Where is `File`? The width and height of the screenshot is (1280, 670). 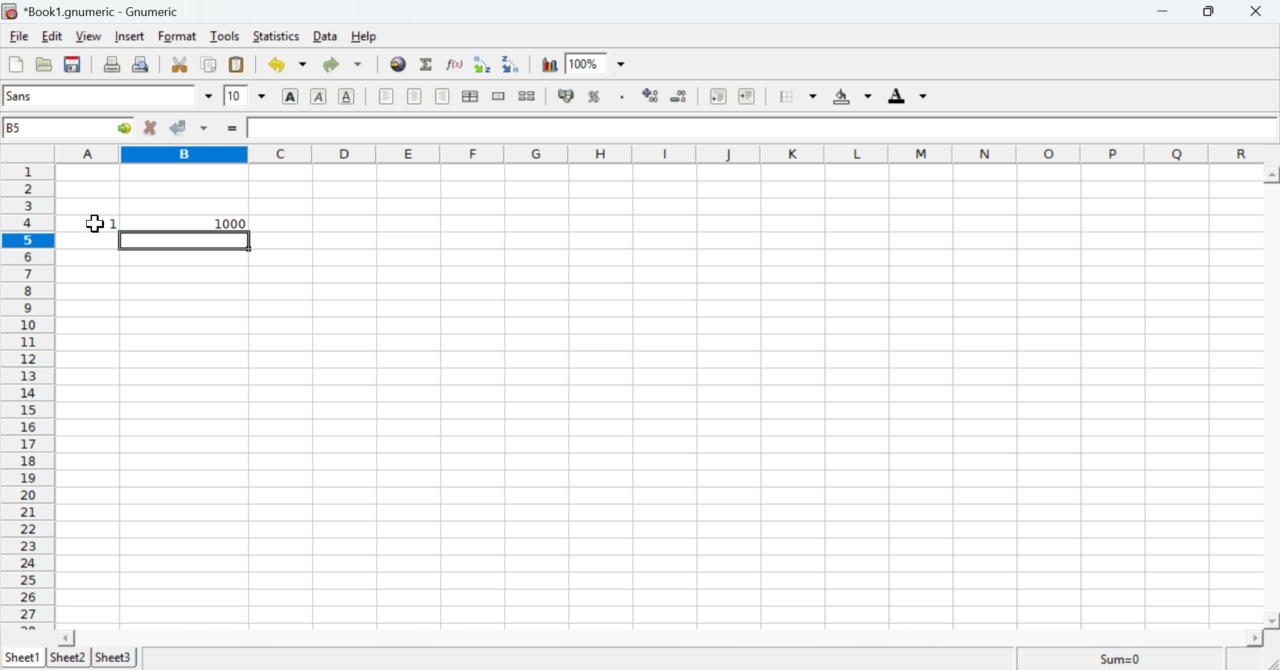
File is located at coordinates (19, 36).